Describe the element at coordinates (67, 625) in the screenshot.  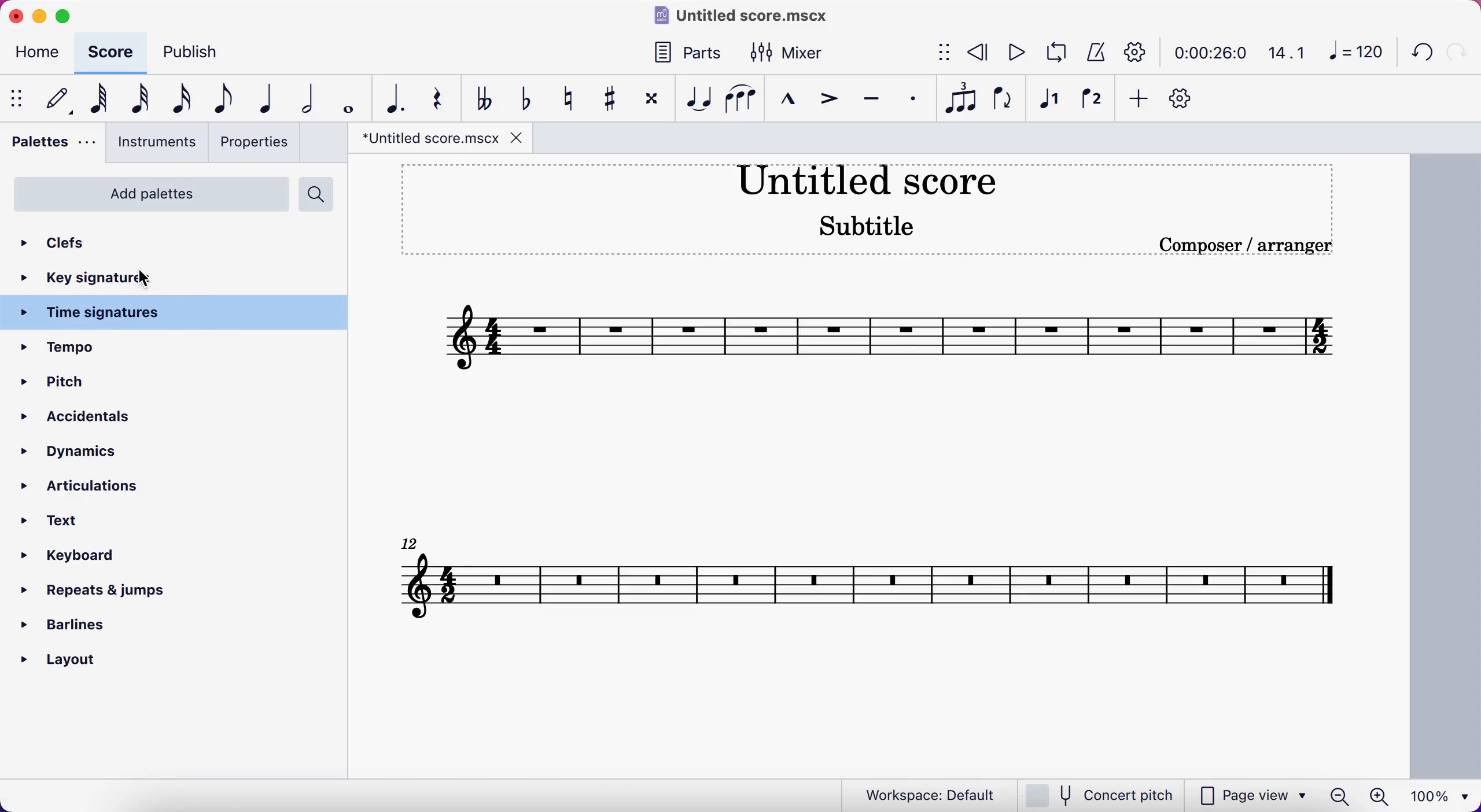
I see `barlines` at that location.